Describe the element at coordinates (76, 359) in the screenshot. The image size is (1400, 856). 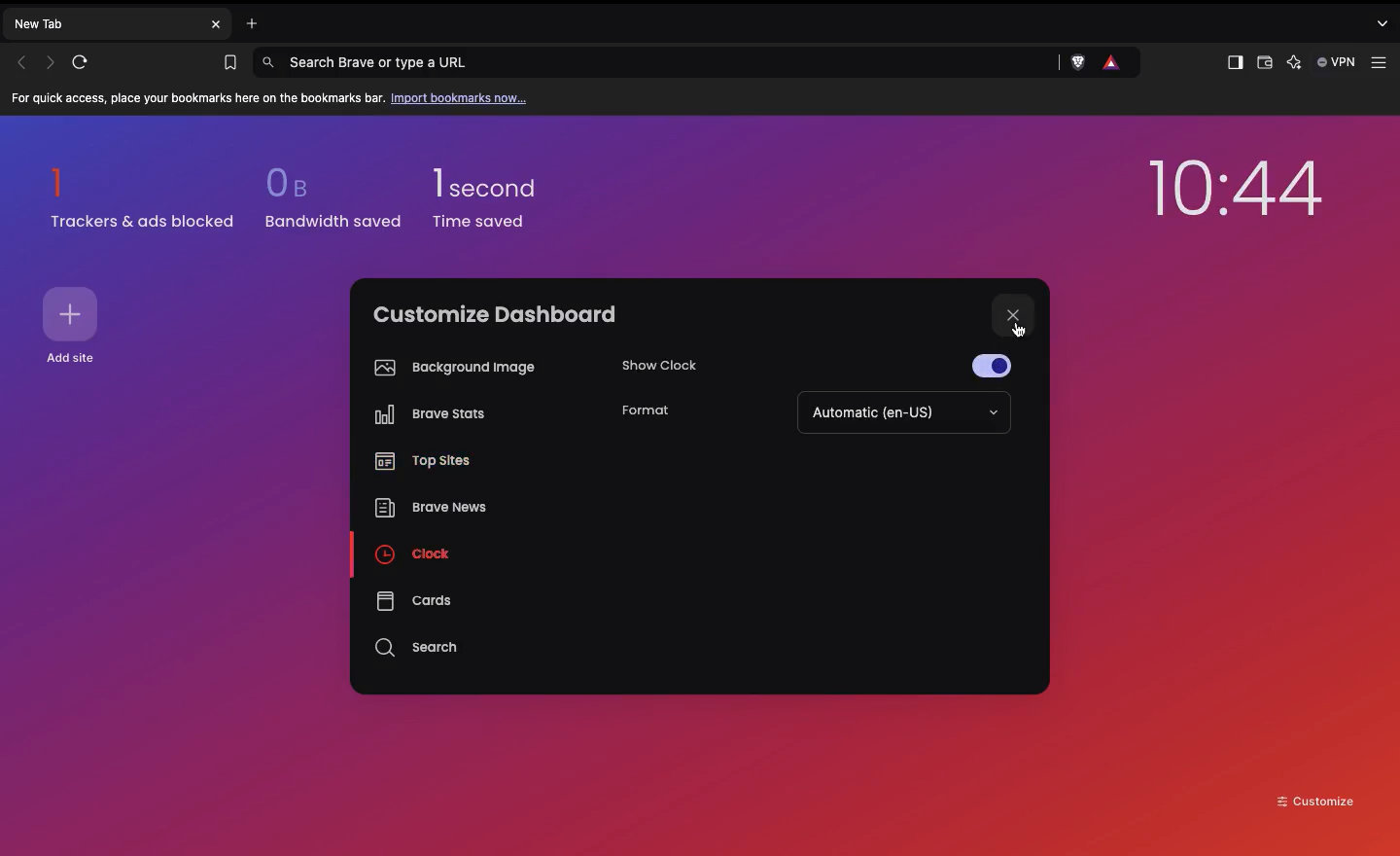
I see `Add site` at that location.